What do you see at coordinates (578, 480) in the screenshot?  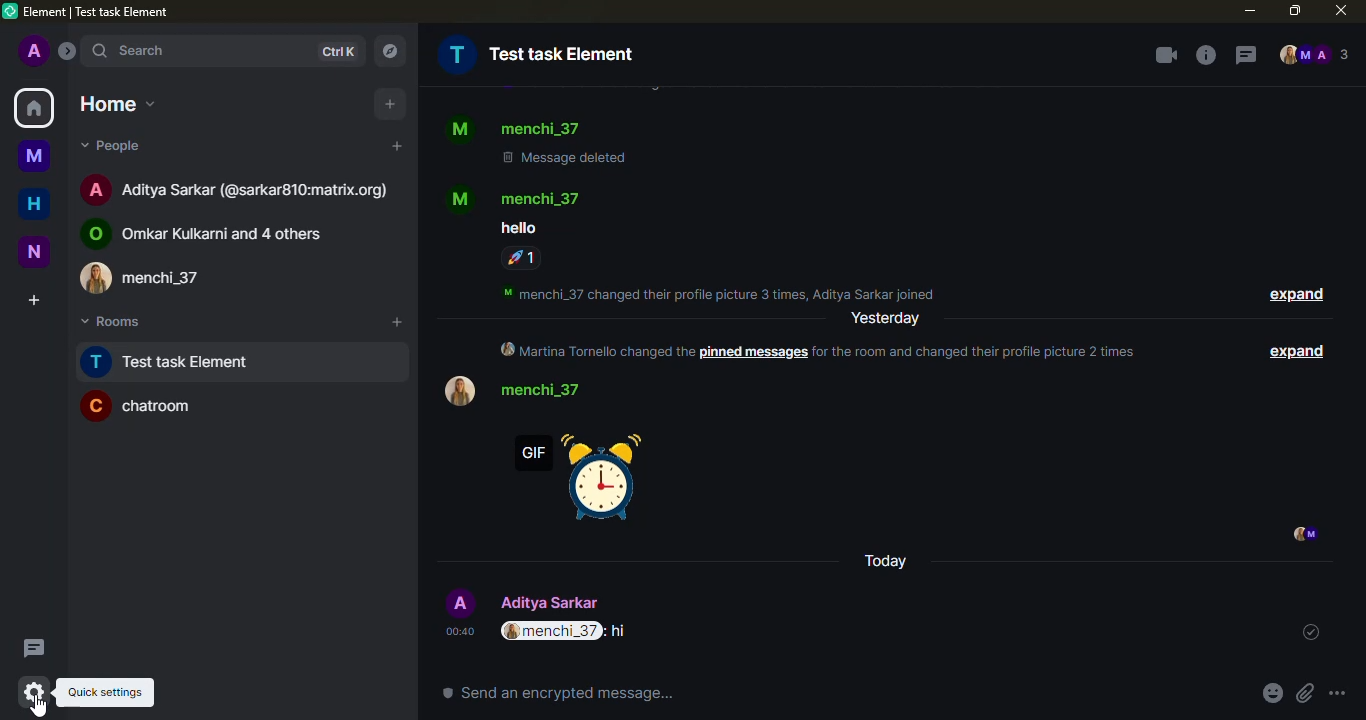 I see `gif` at bounding box center [578, 480].